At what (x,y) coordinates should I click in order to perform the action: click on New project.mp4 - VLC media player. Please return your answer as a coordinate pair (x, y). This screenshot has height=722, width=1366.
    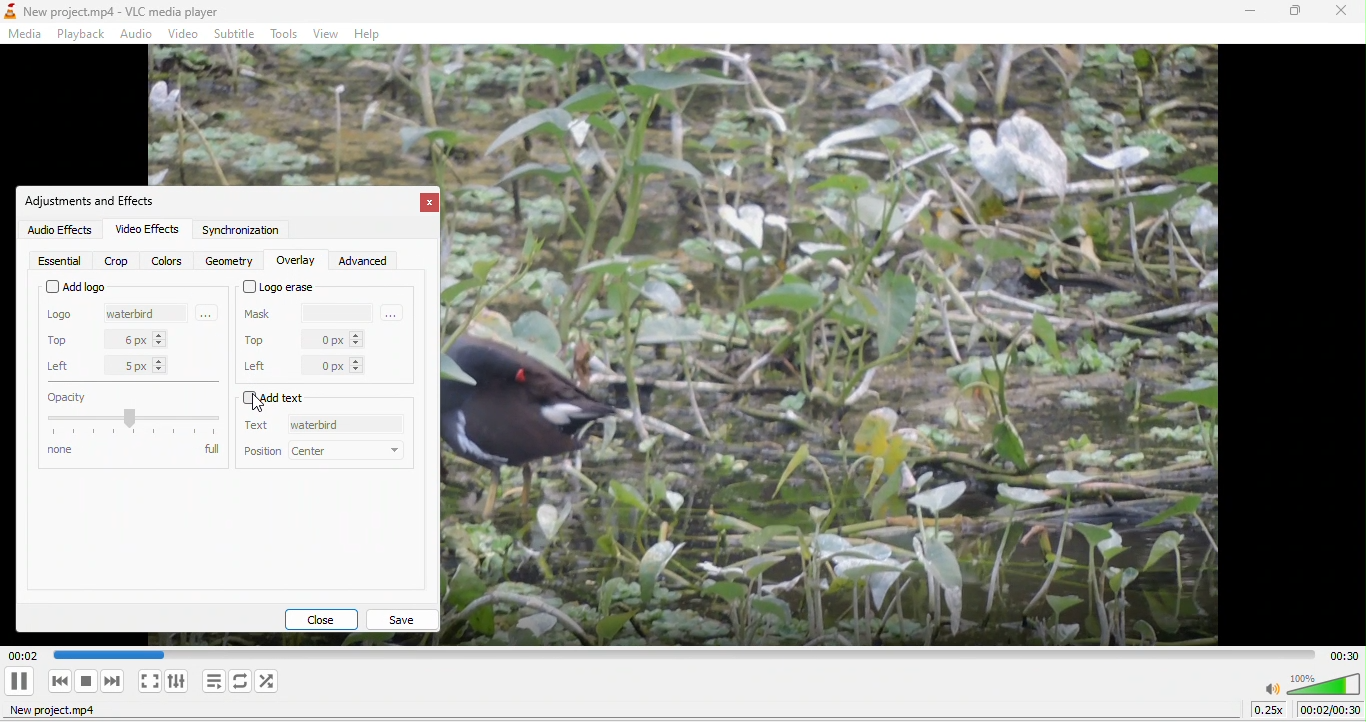
    Looking at the image, I should click on (117, 10).